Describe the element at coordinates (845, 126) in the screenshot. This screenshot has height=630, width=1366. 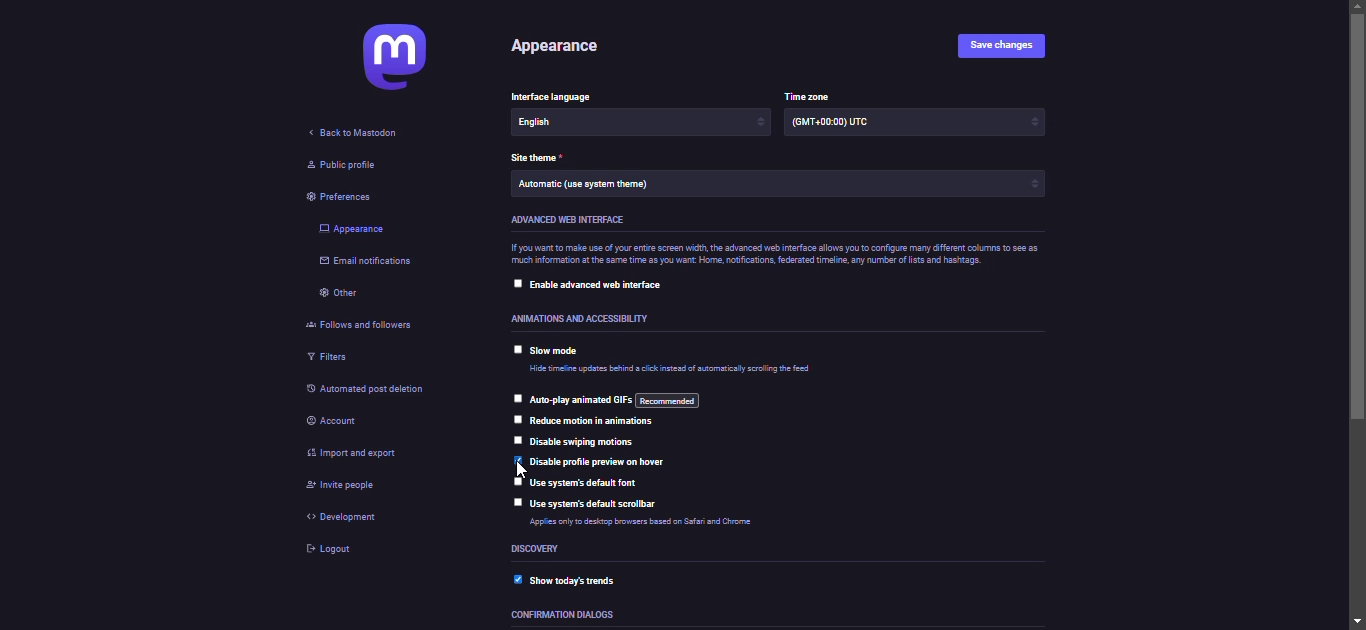
I see `time zone` at that location.